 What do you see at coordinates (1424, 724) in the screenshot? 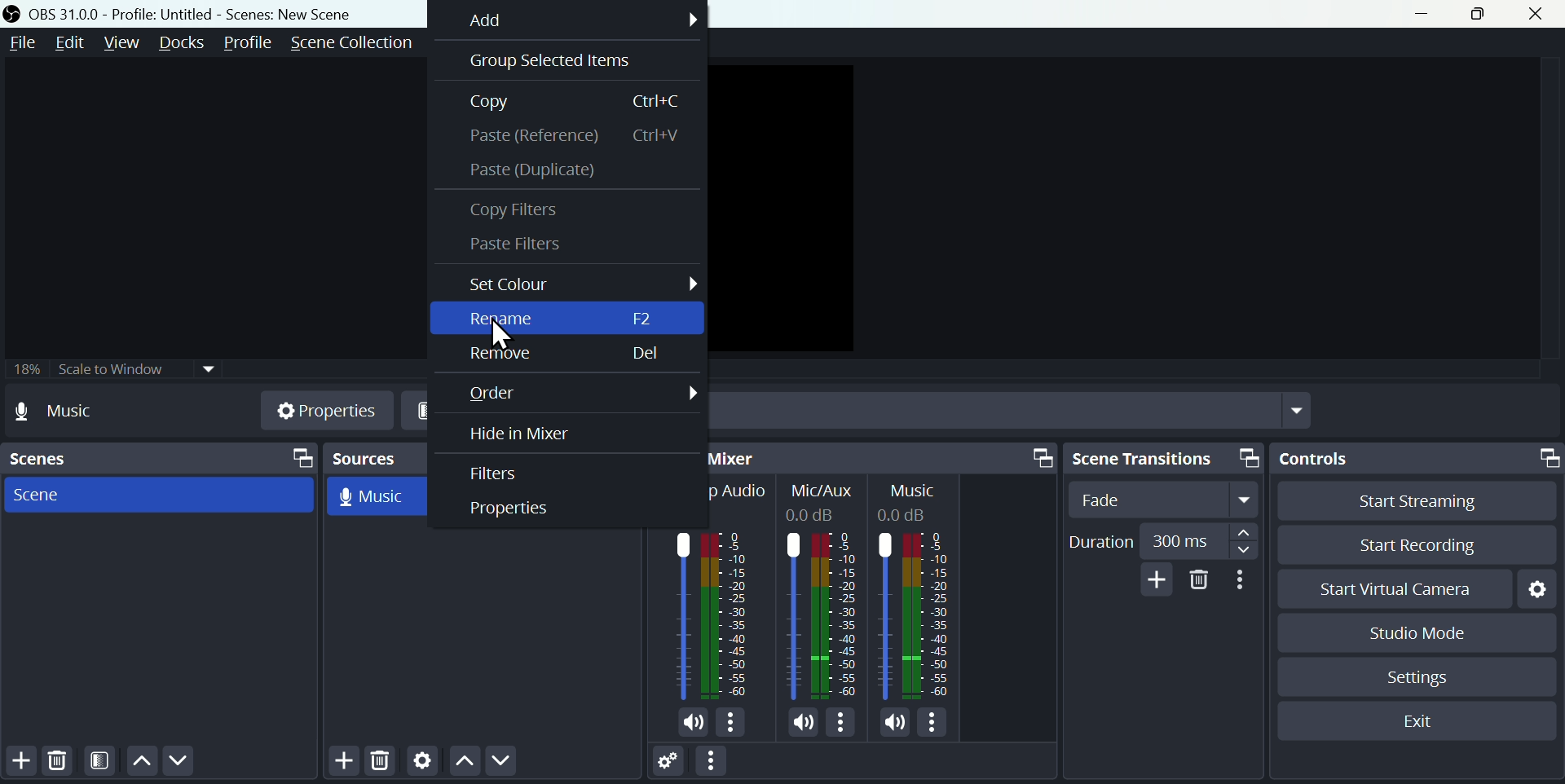
I see `Exit` at bounding box center [1424, 724].